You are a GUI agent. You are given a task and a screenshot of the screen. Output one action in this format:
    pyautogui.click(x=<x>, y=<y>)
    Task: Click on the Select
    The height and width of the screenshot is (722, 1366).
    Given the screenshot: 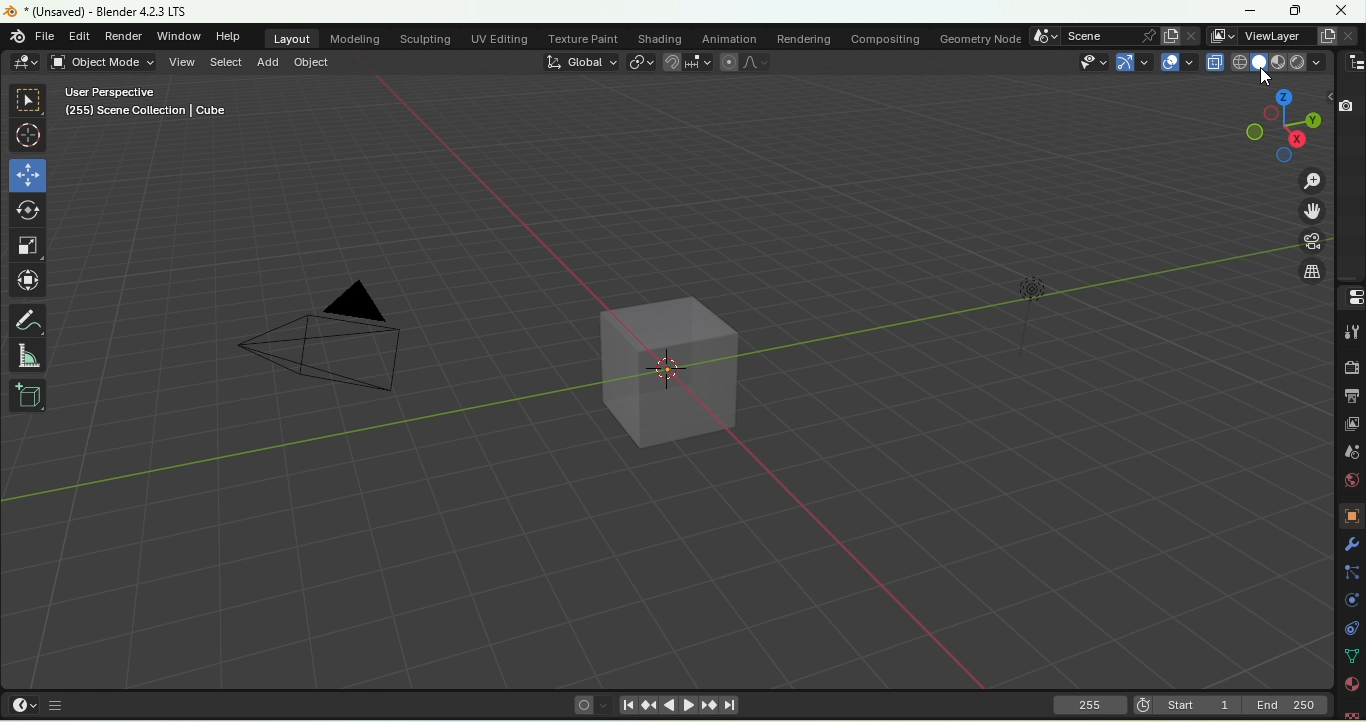 What is the action you would take?
    pyautogui.click(x=225, y=65)
    